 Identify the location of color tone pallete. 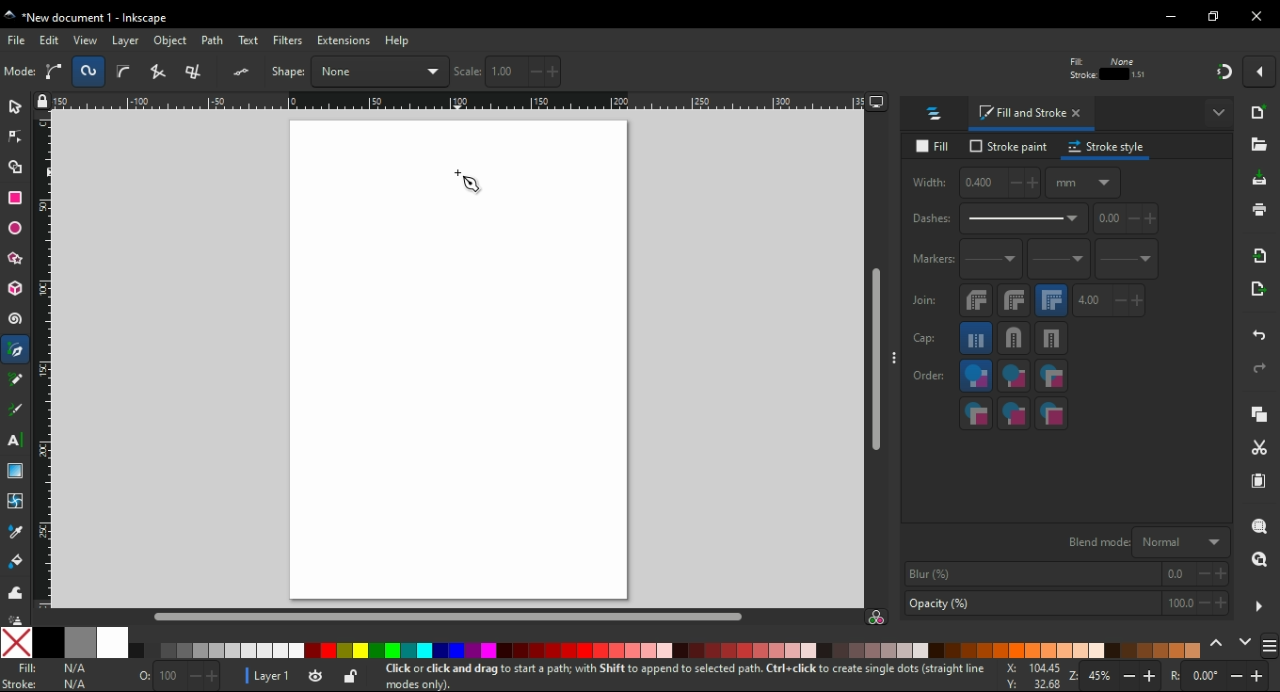
(403, 651).